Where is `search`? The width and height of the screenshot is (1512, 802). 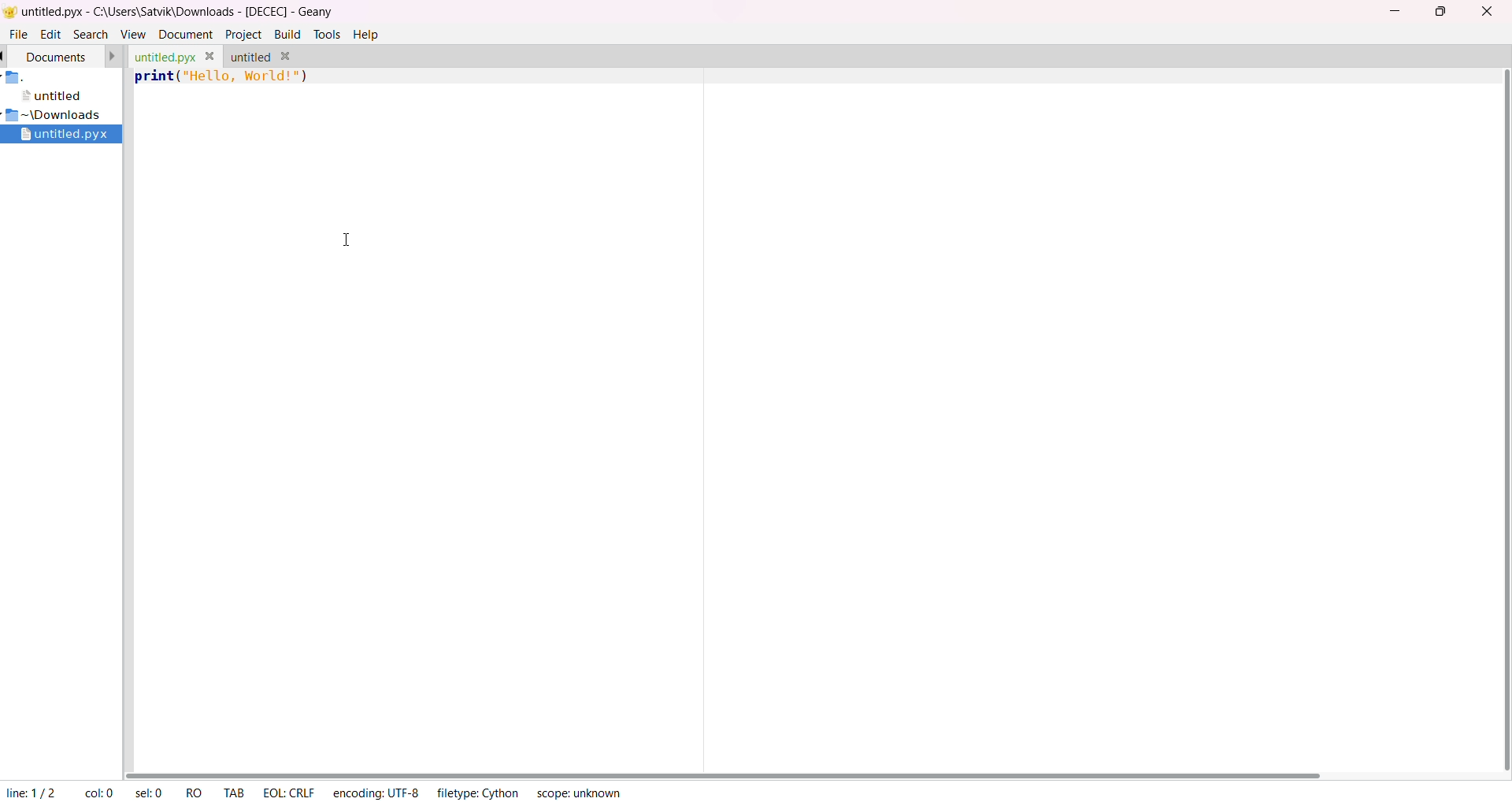
search is located at coordinates (91, 34).